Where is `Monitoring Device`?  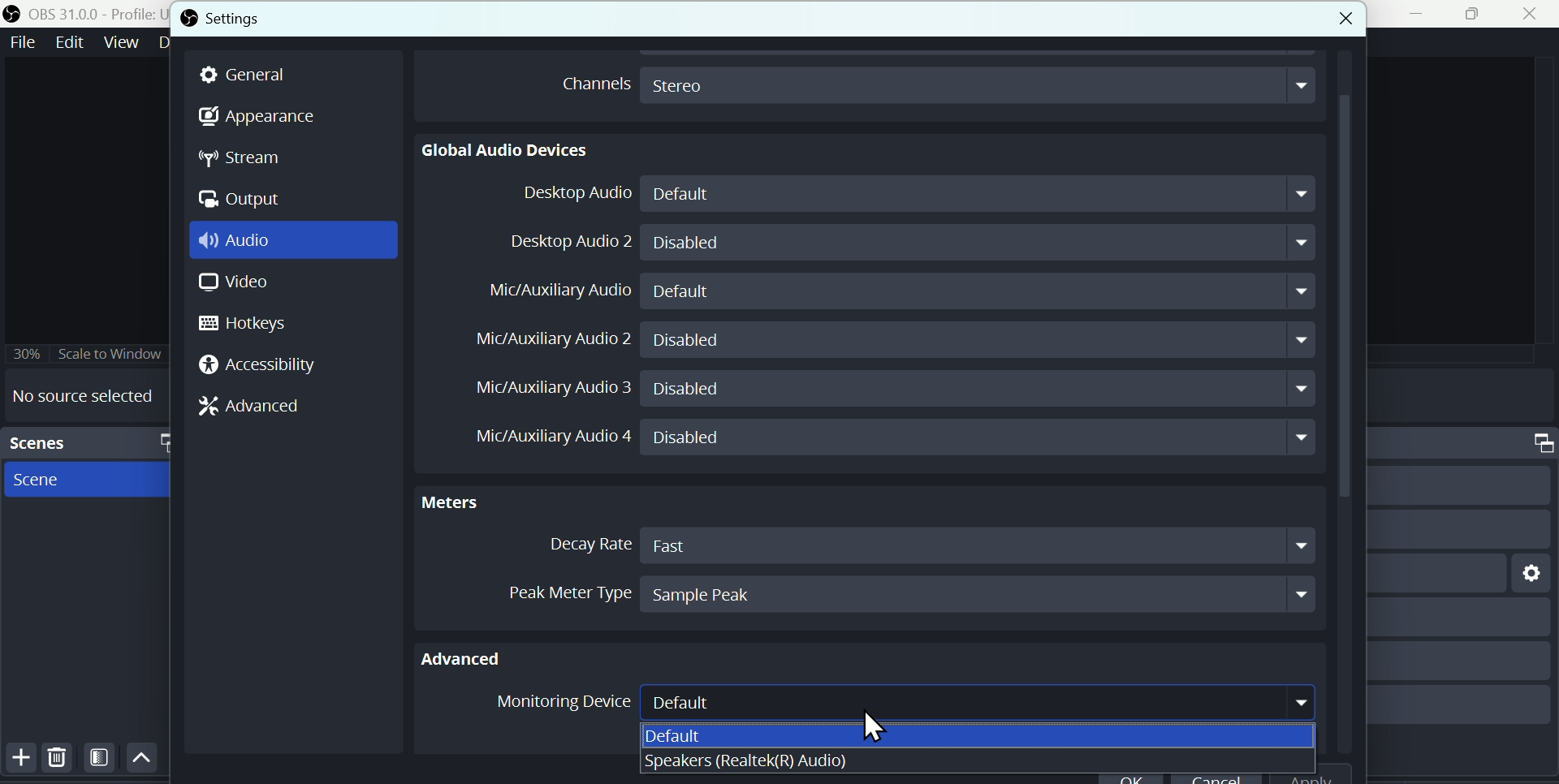
Monitoring Device is located at coordinates (559, 704).